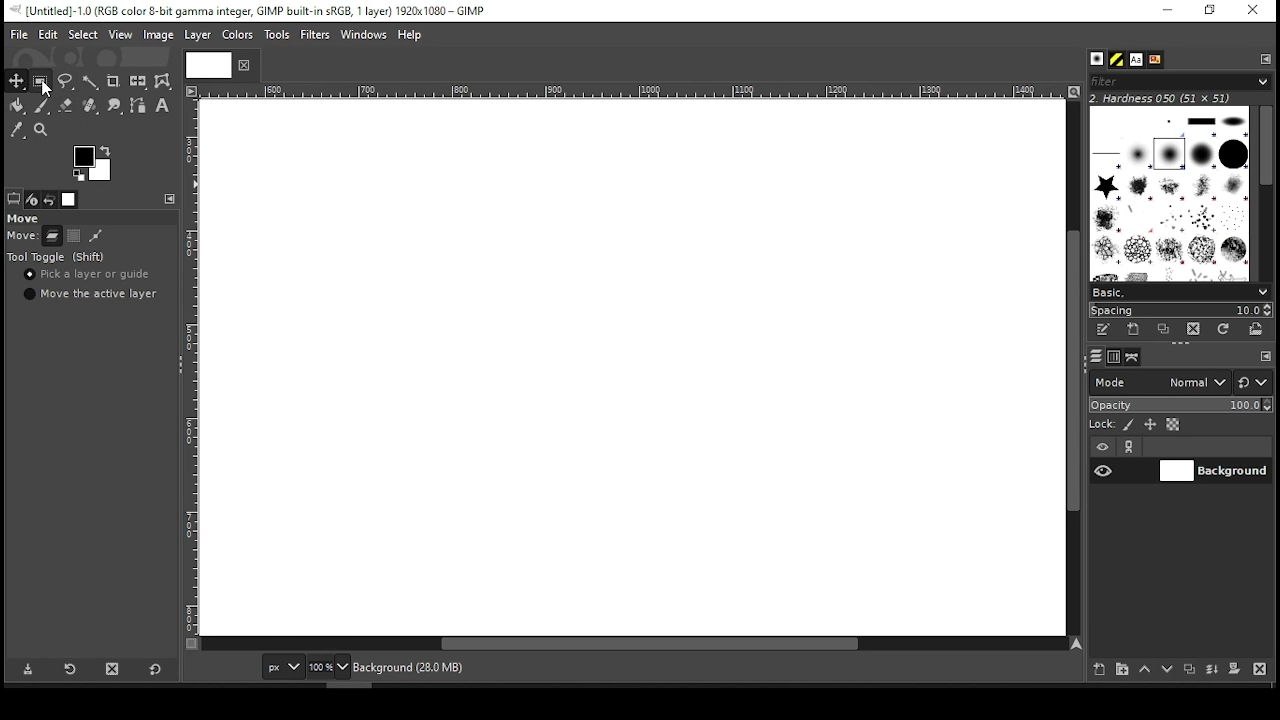 The image size is (1280, 720). What do you see at coordinates (1179, 407) in the screenshot?
I see `opacity` at bounding box center [1179, 407].